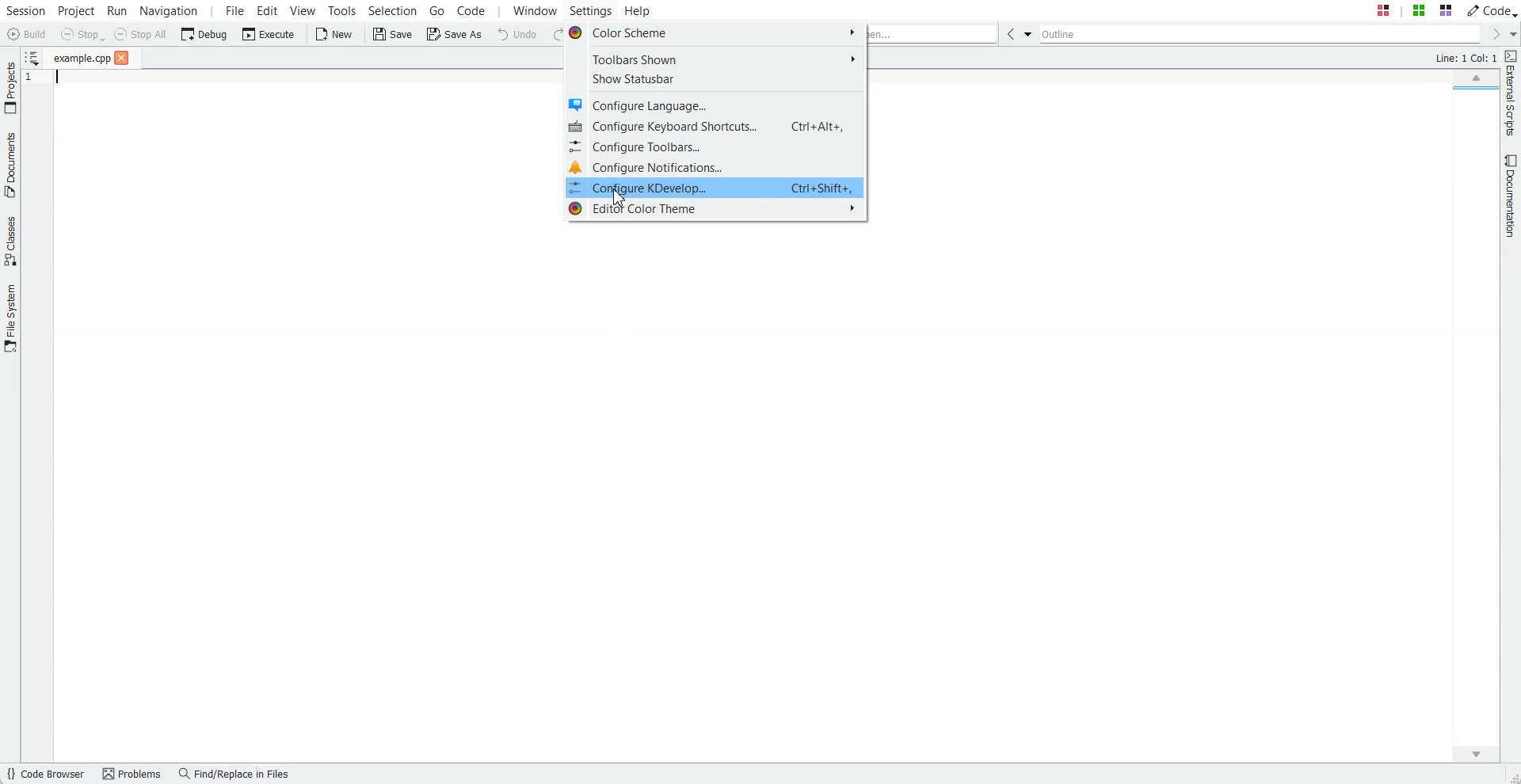 The width and height of the screenshot is (1521, 784). Describe the element at coordinates (715, 127) in the screenshot. I see `Configure Keyboard Shortcuts` at that location.